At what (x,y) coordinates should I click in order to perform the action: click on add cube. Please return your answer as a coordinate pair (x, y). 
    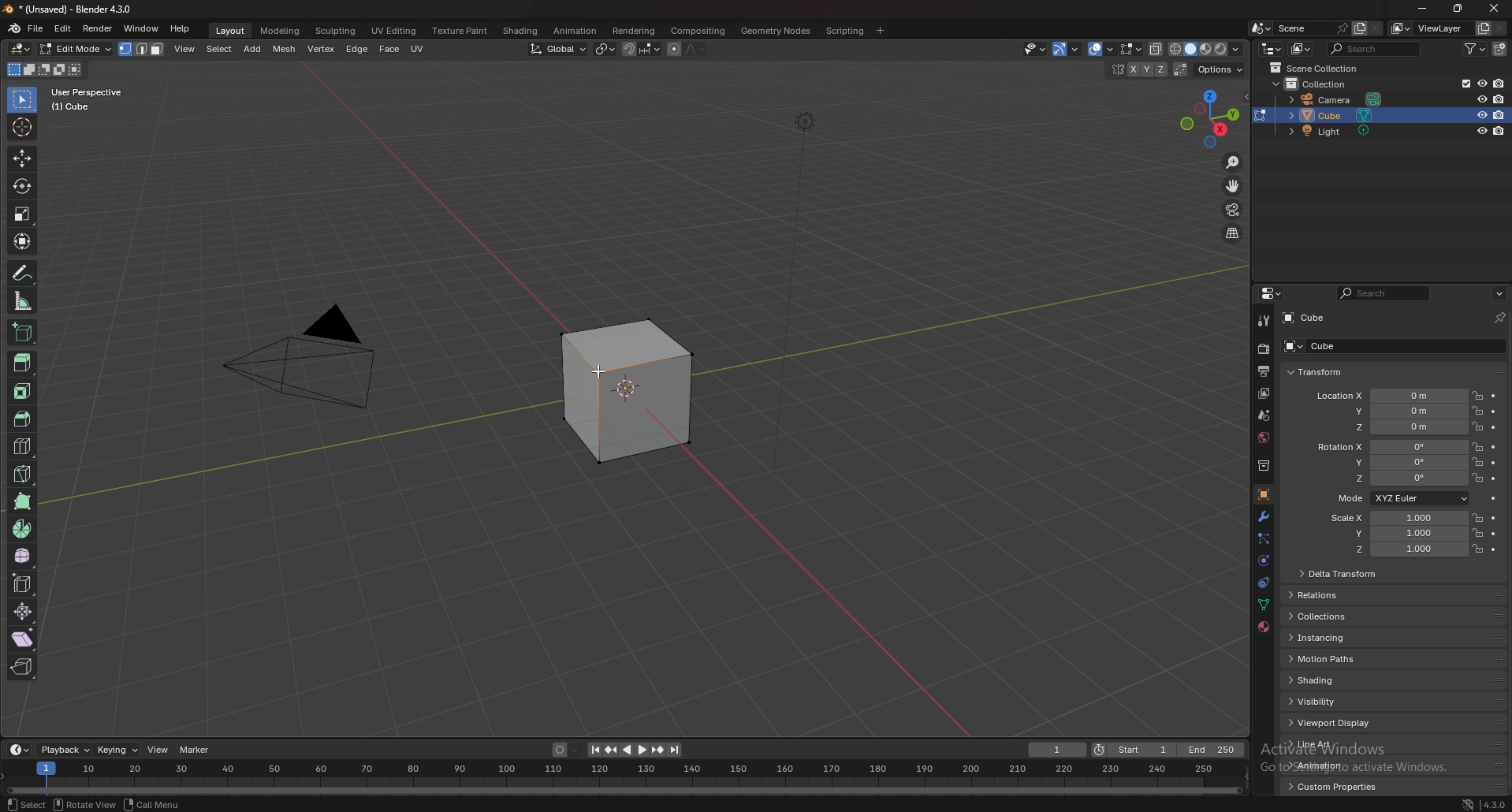
    Looking at the image, I should click on (22, 333).